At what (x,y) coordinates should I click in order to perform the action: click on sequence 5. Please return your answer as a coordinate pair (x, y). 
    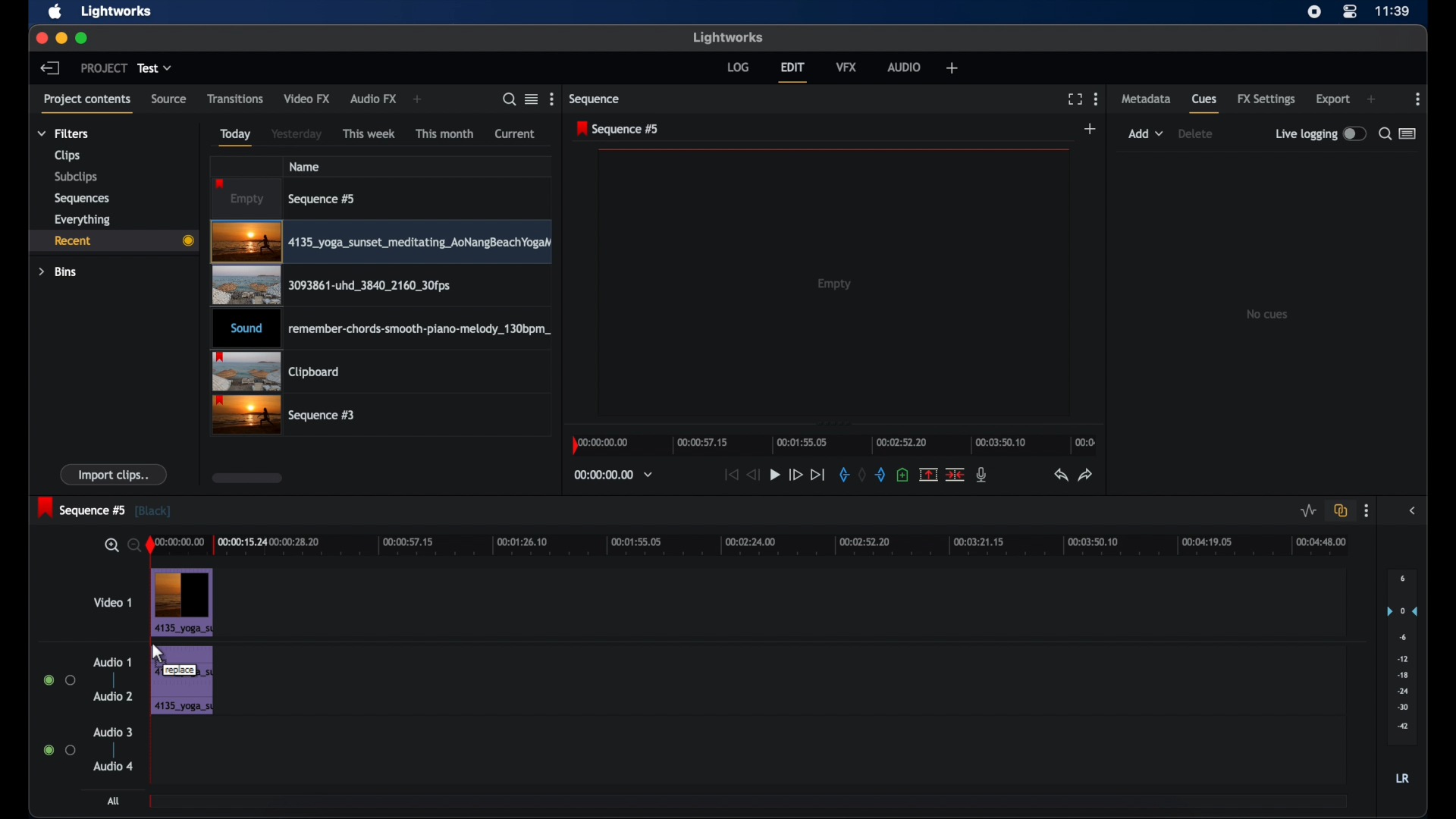
    Looking at the image, I should click on (105, 509).